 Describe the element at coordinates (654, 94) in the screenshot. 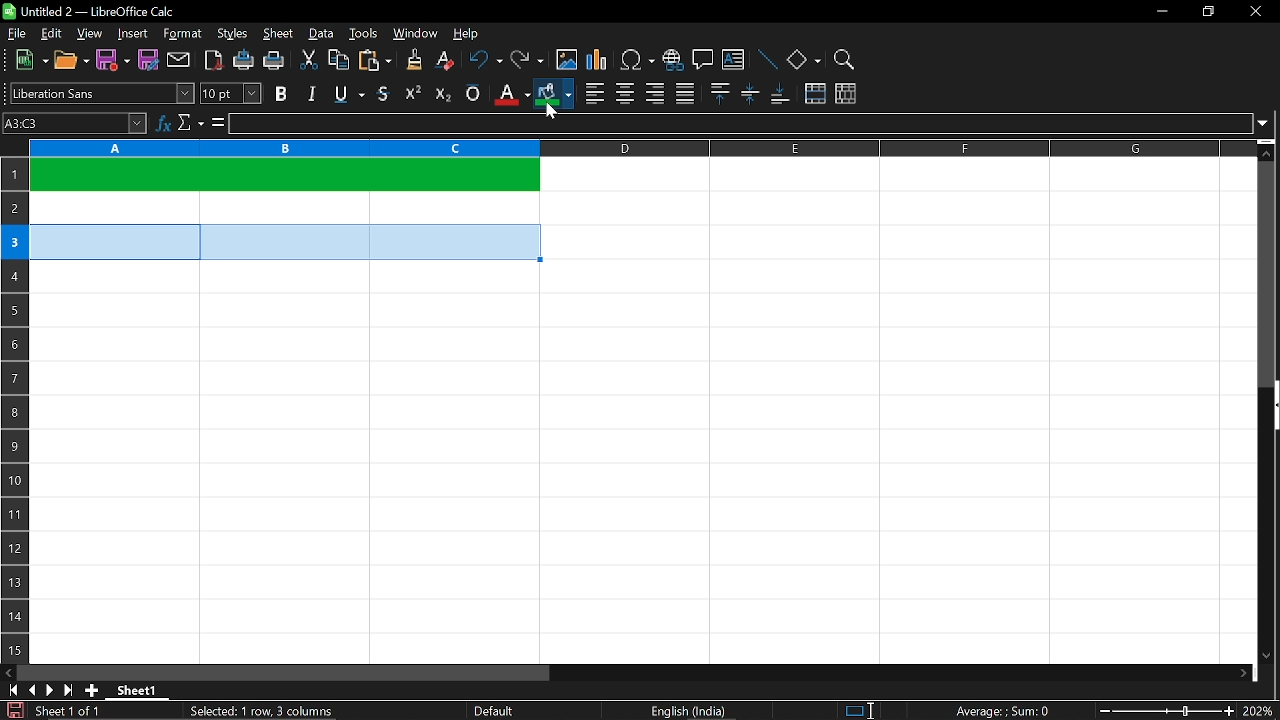

I see `align right` at that location.